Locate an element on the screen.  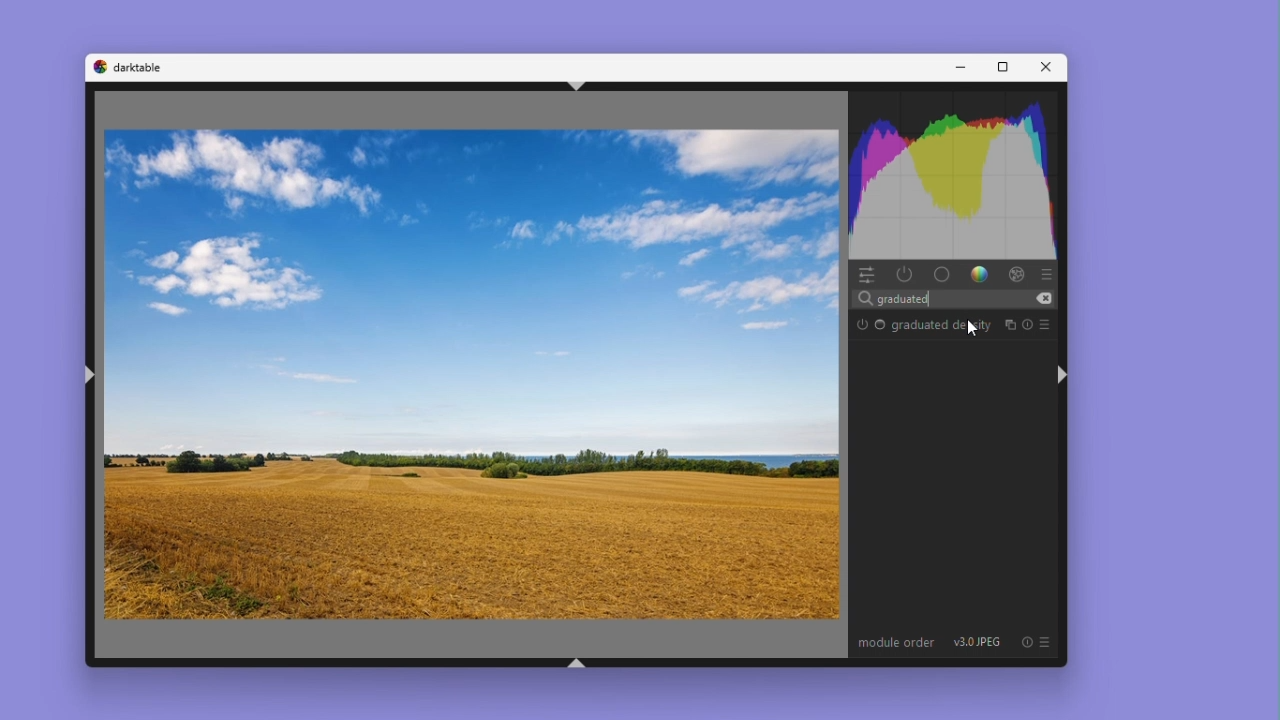
Maximise is located at coordinates (999, 68).